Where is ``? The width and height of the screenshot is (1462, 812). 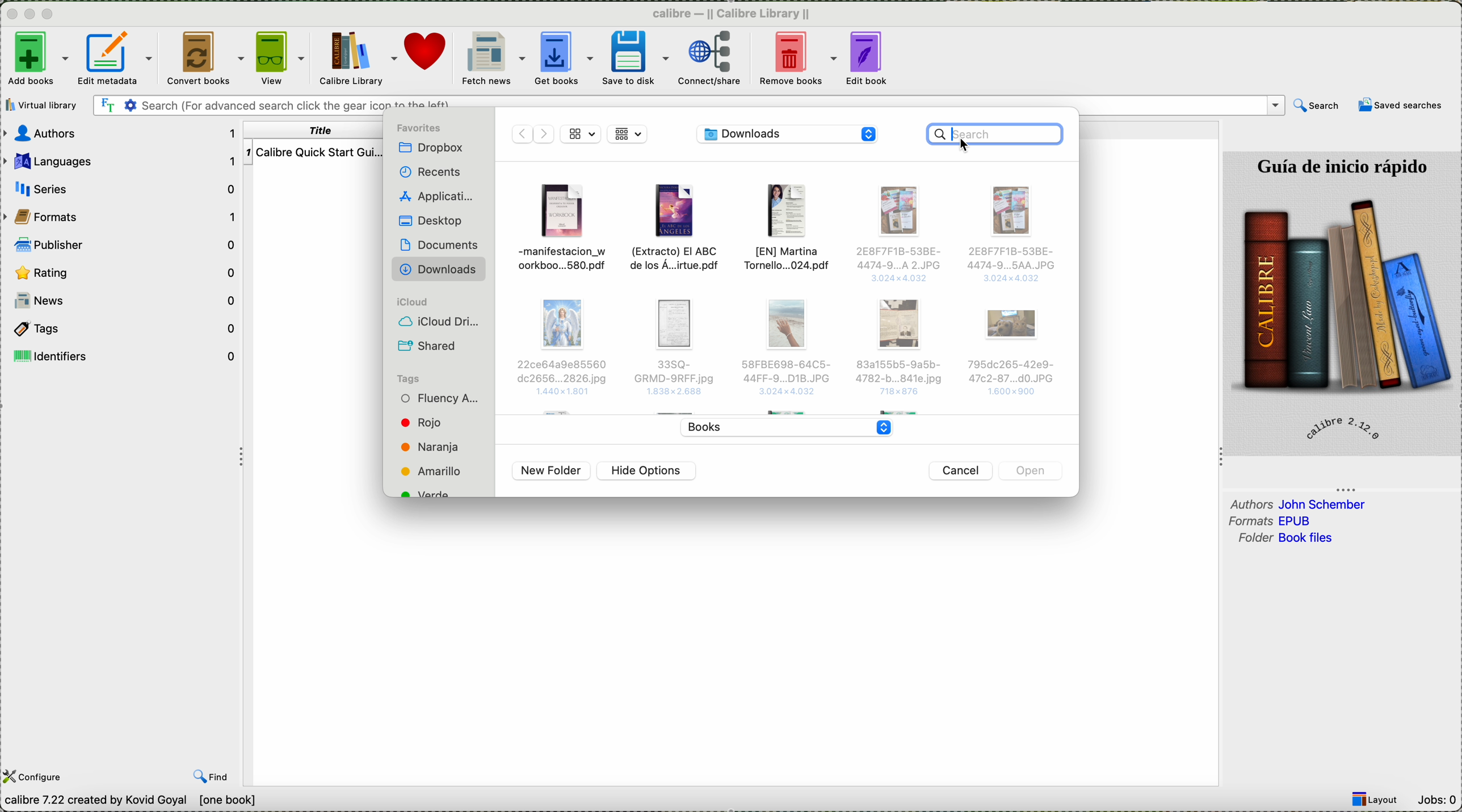
 is located at coordinates (1008, 351).